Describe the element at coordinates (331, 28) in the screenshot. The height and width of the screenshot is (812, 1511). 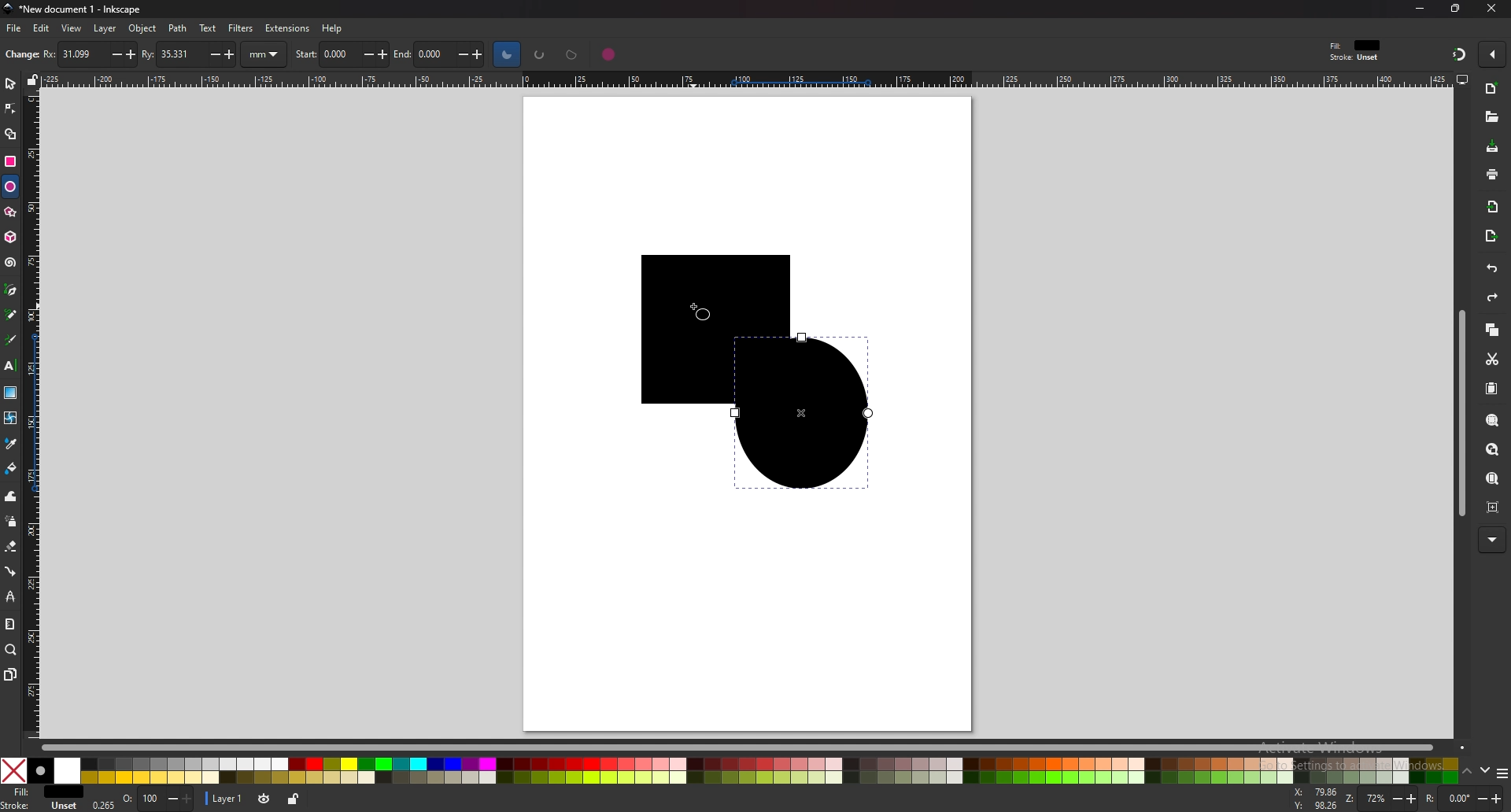
I see `help` at that location.